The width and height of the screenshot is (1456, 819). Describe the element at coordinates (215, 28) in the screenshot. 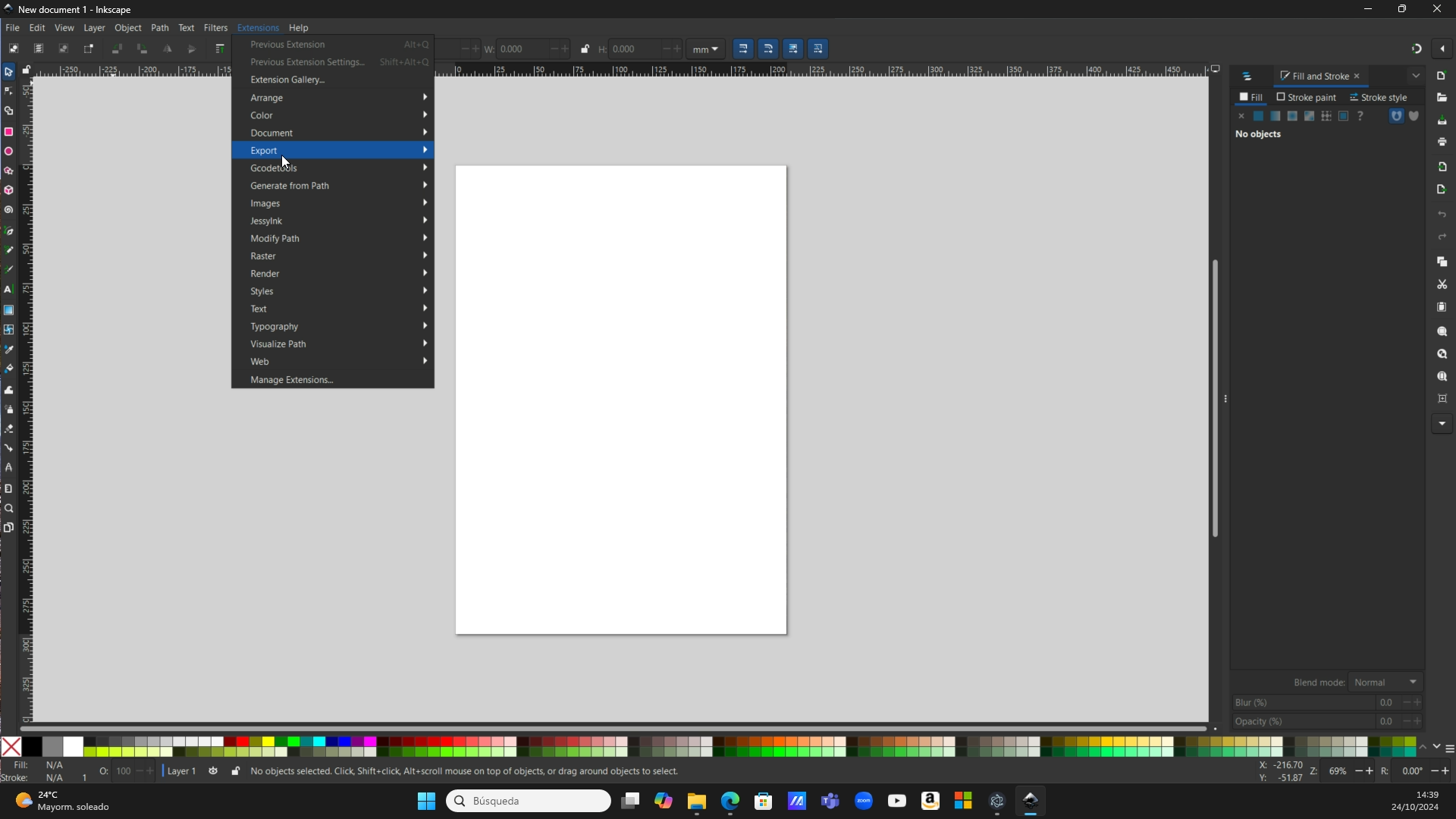

I see `Filters` at that location.